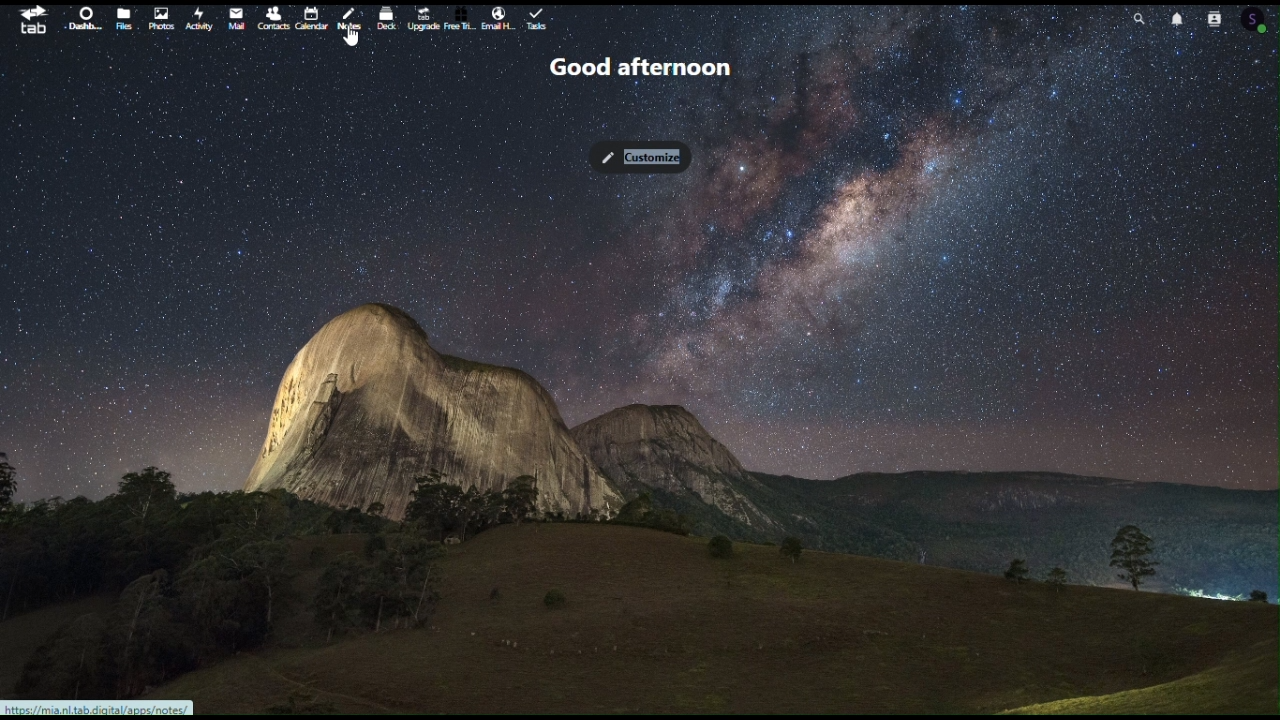  What do you see at coordinates (309, 17) in the screenshot?
I see `Calendar` at bounding box center [309, 17].